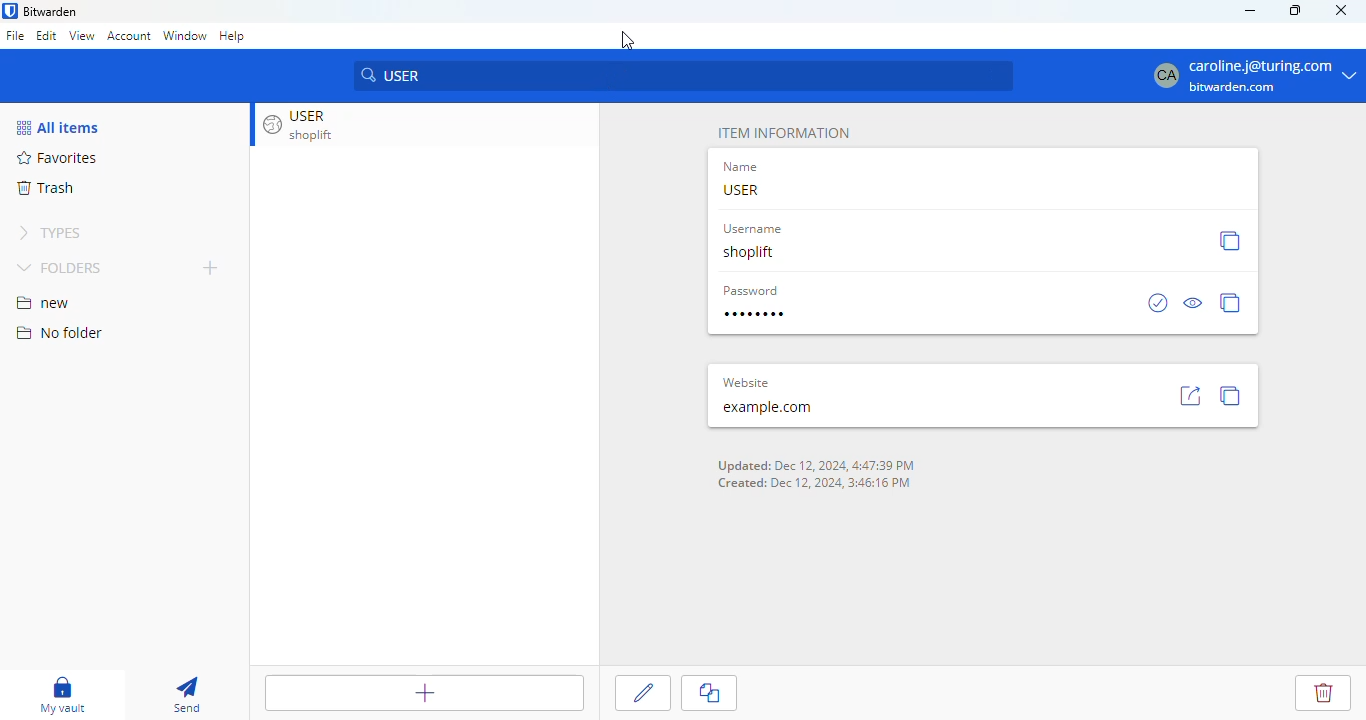 The image size is (1366, 720). I want to click on close, so click(1340, 10).